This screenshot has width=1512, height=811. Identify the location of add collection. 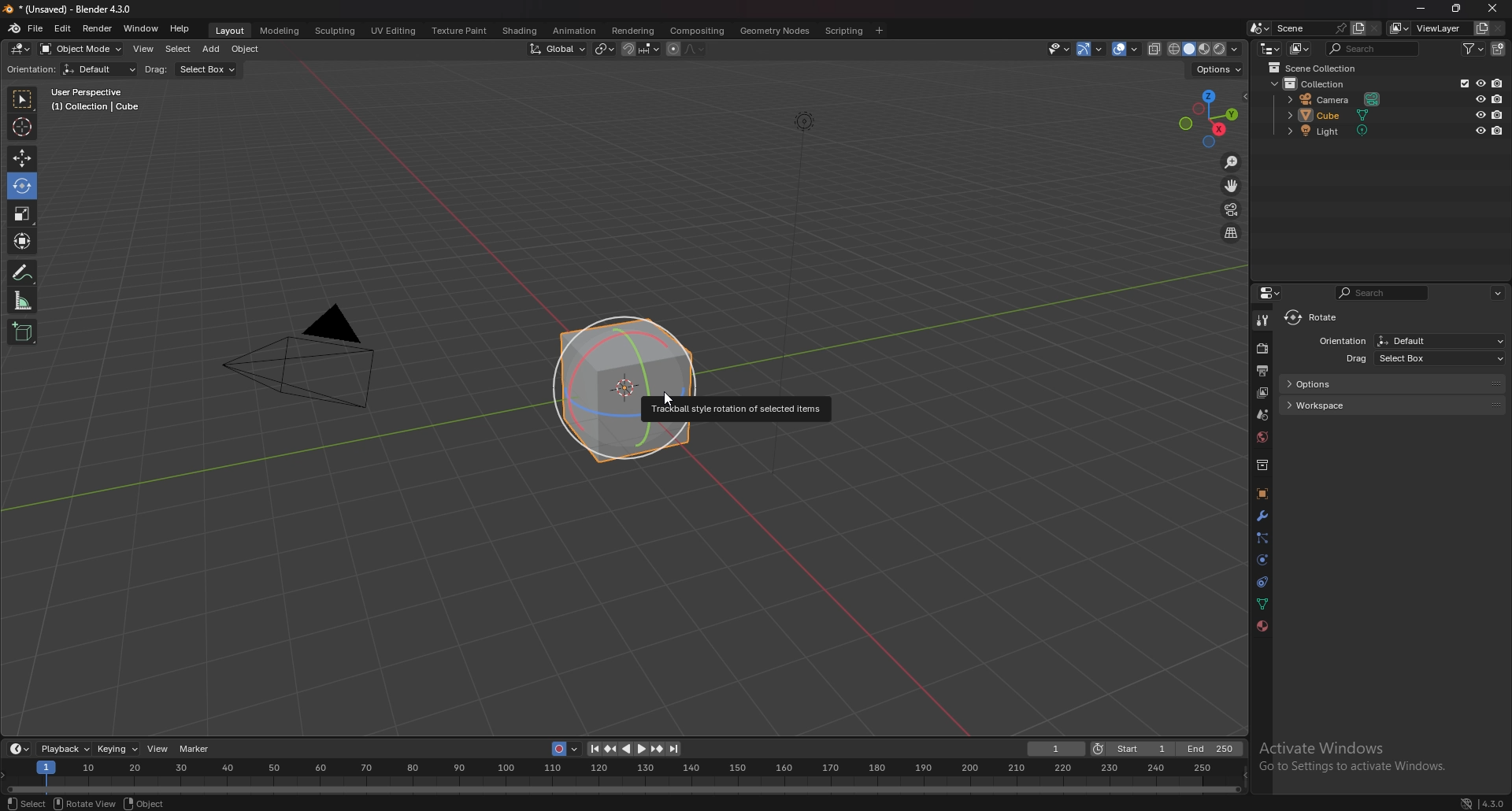
(1498, 49).